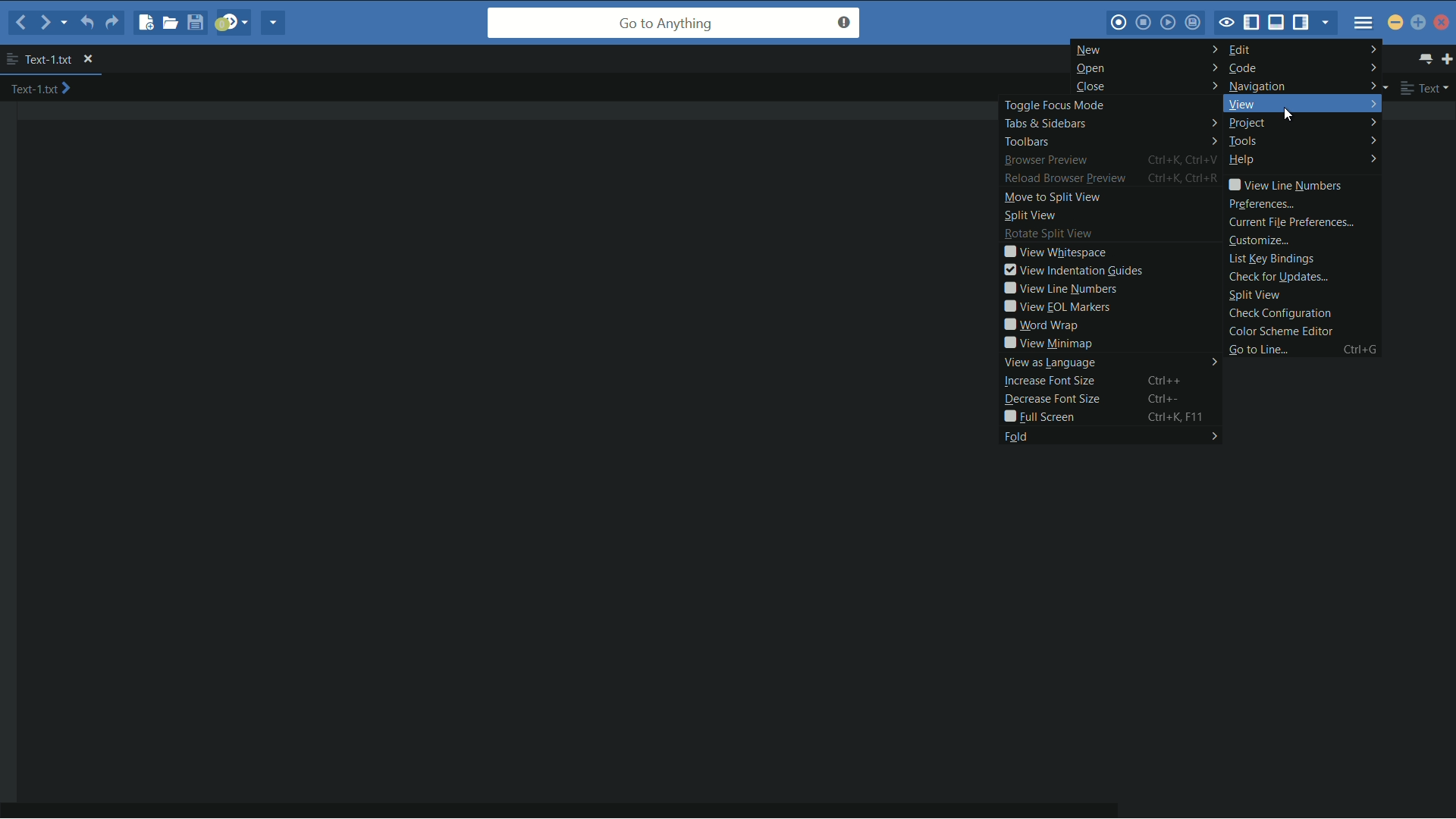 The width and height of the screenshot is (1456, 819). Describe the element at coordinates (1396, 24) in the screenshot. I see `minimize` at that location.